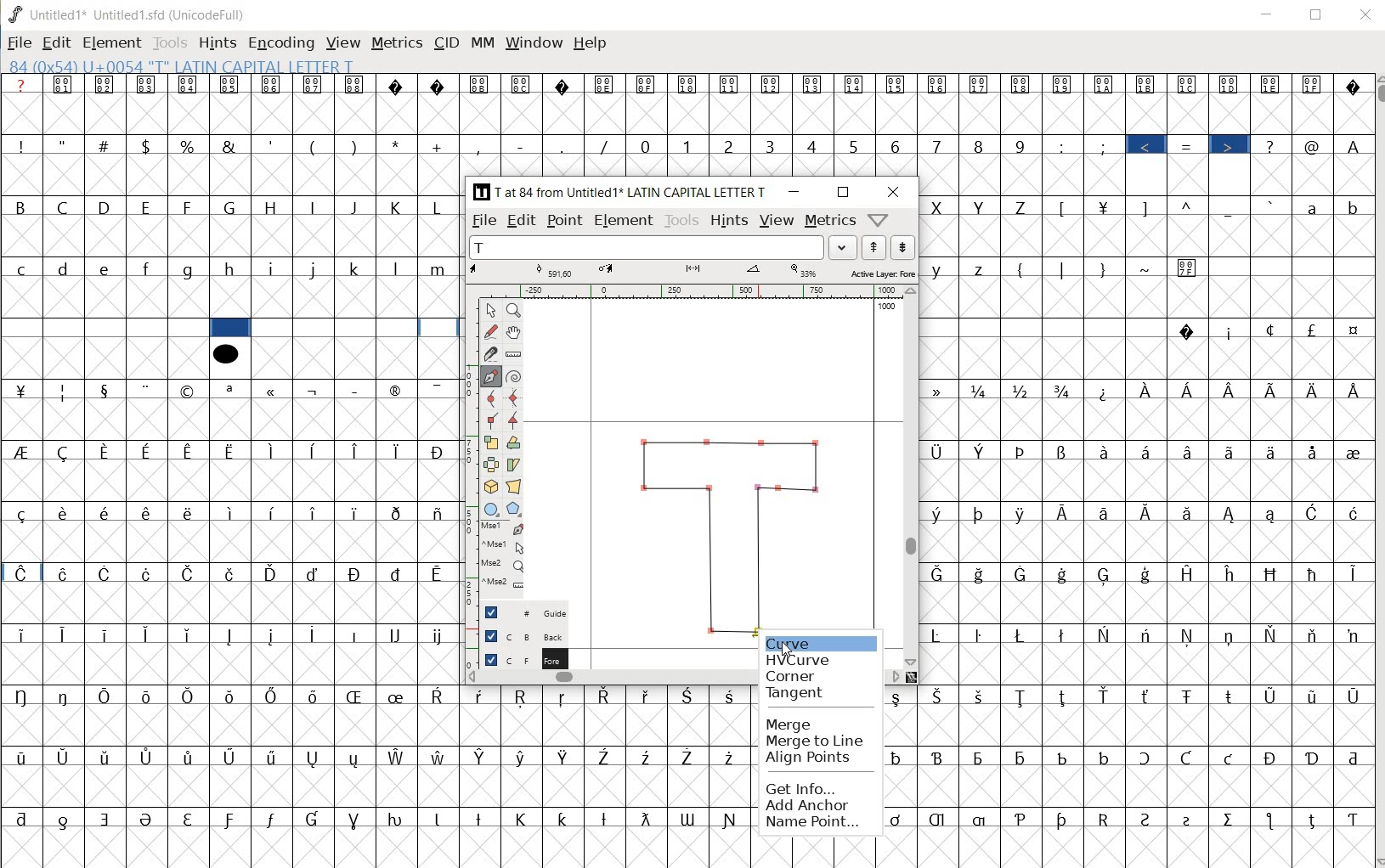 The height and width of the screenshot is (868, 1385). Describe the element at coordinates (189, 145) in the screenshot. I see `%` at that location.